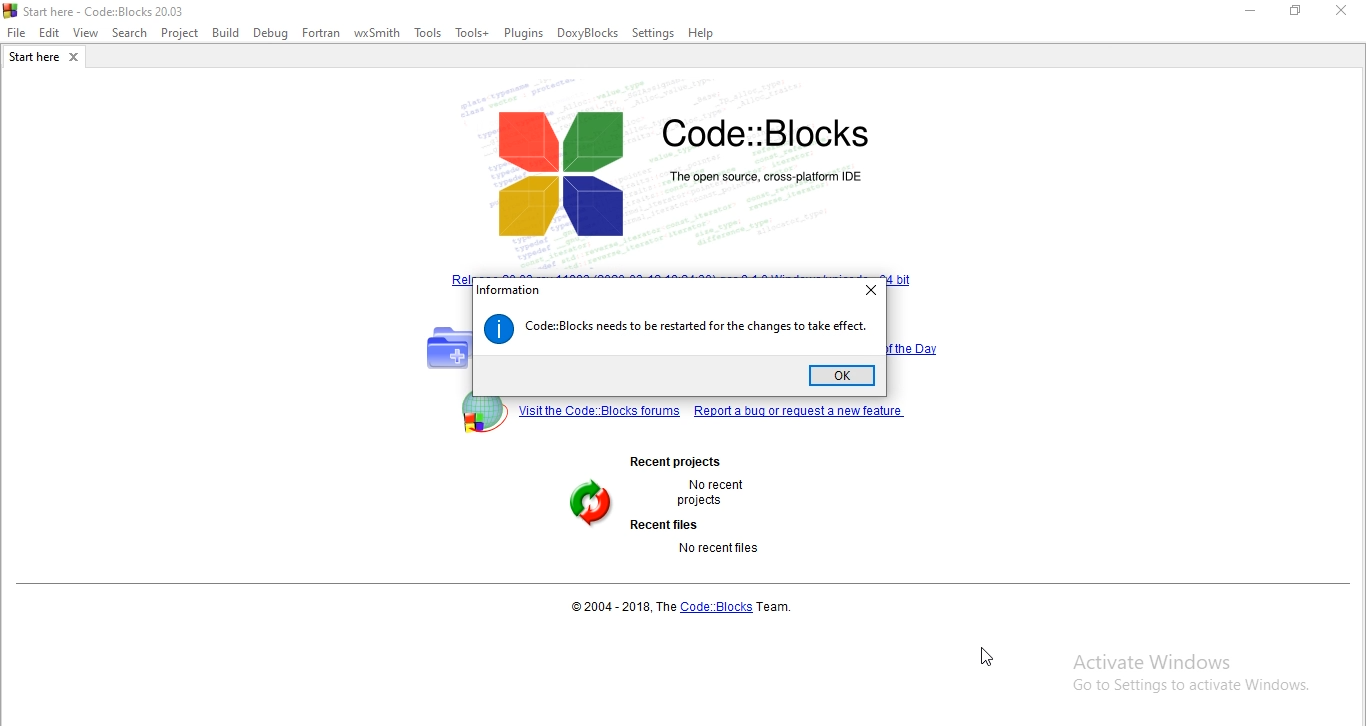 The image size is (1366, 726). Describe the element at coordinates (703, 35) in the screenshot. I see `Help` at that location.